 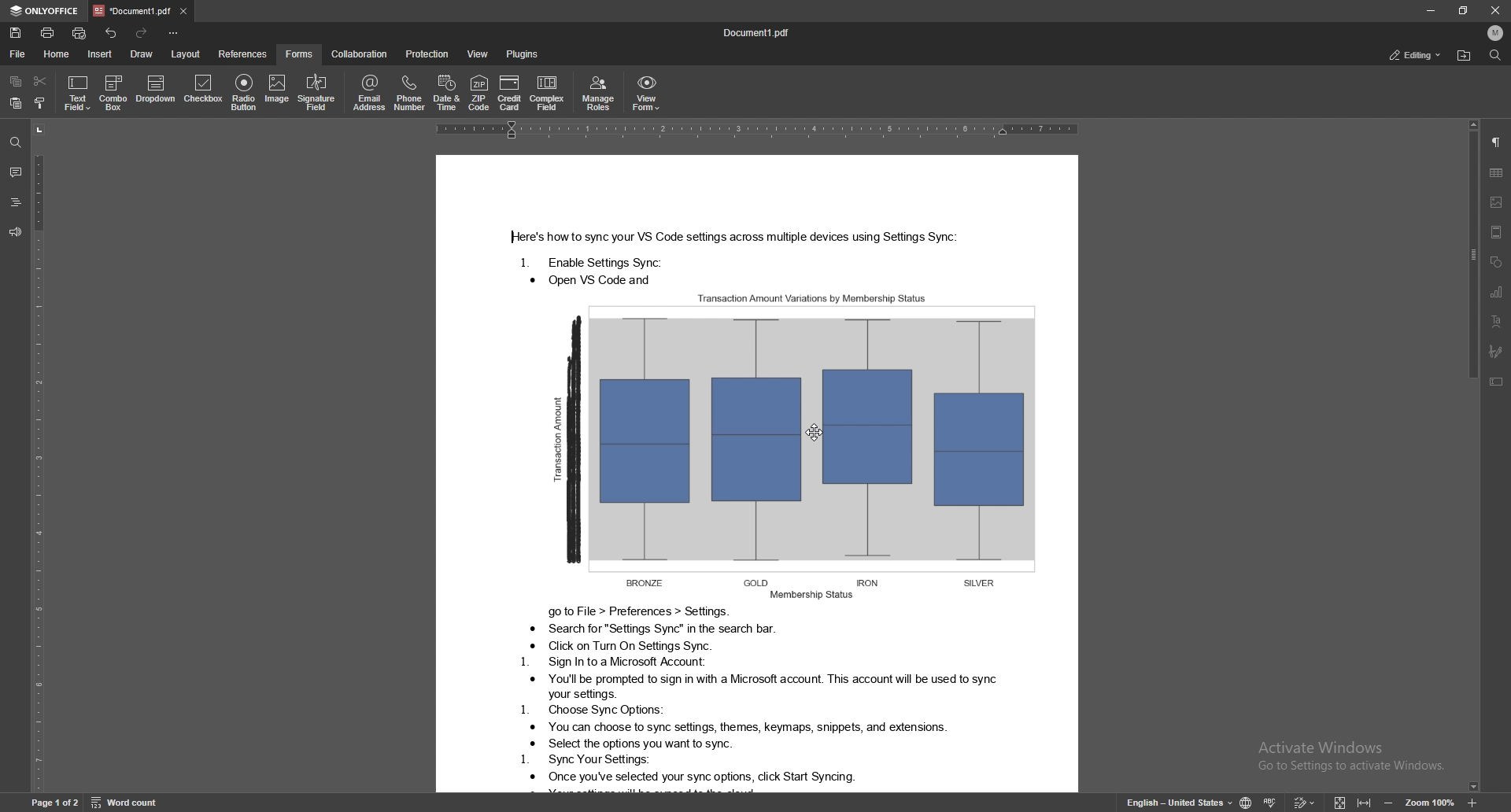 What do you see at coordinates (1496, 382) in the screenshot?
I see `text box` at bounding box center [1496, 382].